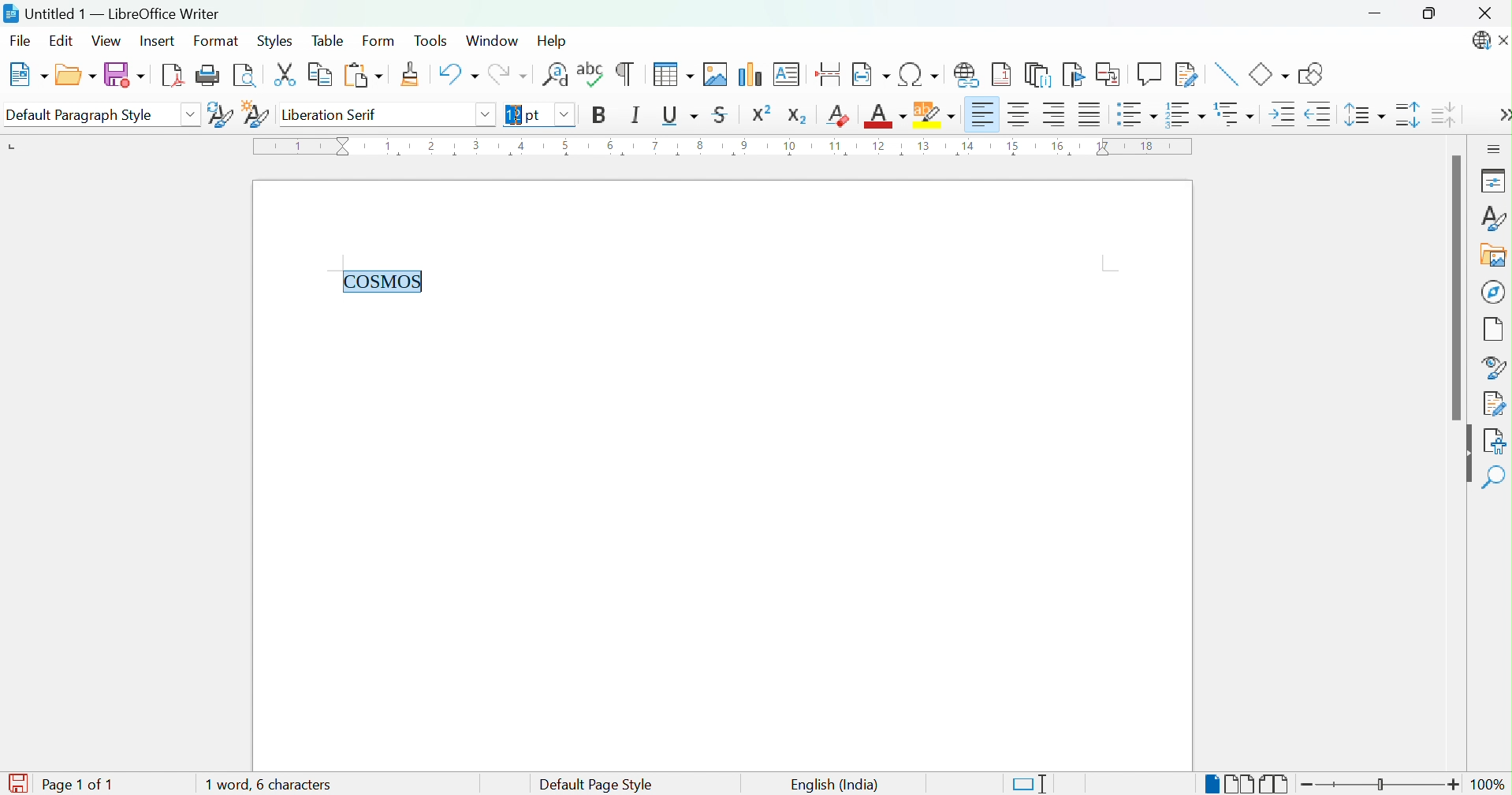  I want to click on Liberation serif, so click(333, 116).